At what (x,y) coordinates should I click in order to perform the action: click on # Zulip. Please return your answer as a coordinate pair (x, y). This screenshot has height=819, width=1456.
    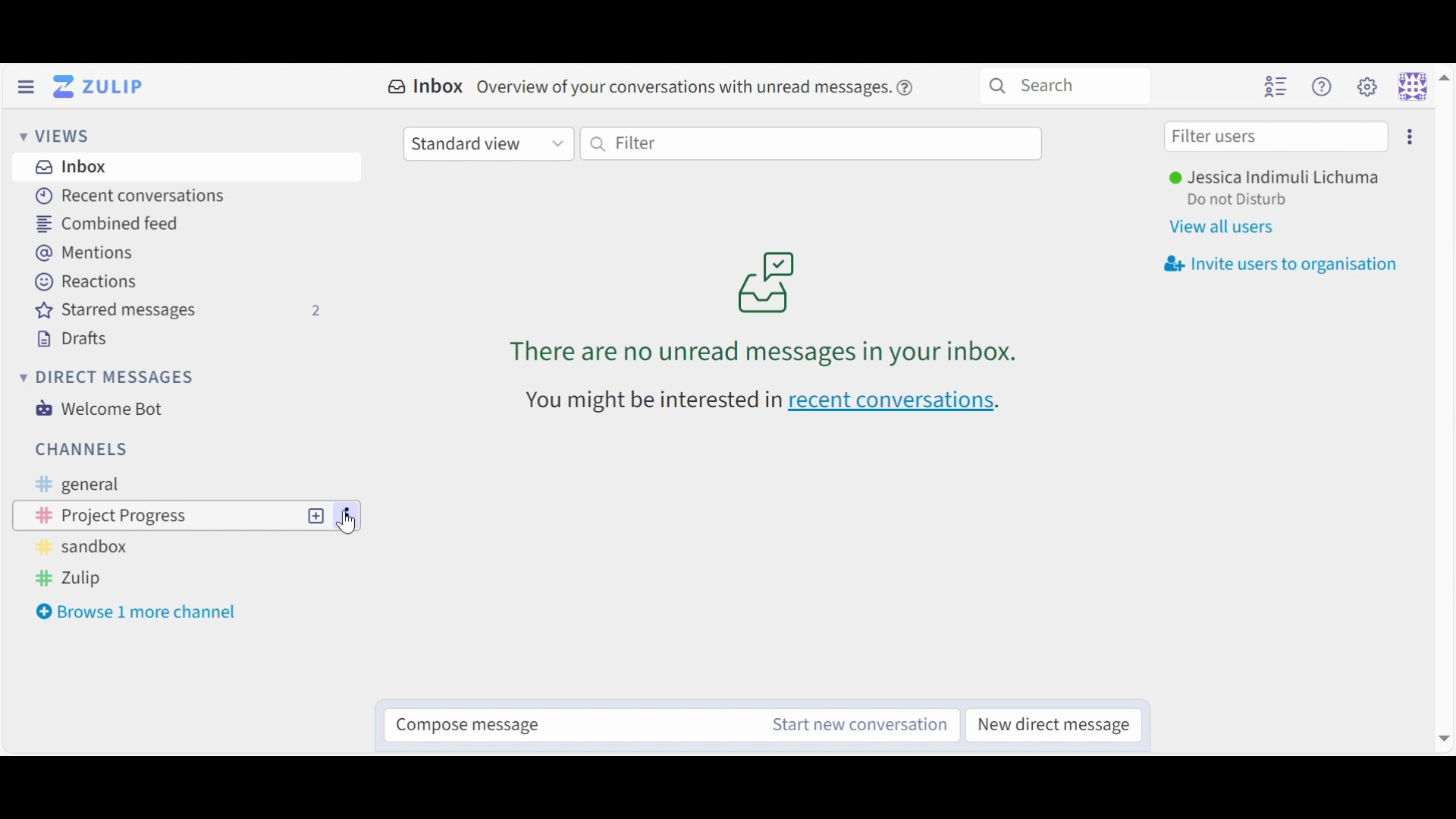
    Looking at the image, I should click on (73, 580).